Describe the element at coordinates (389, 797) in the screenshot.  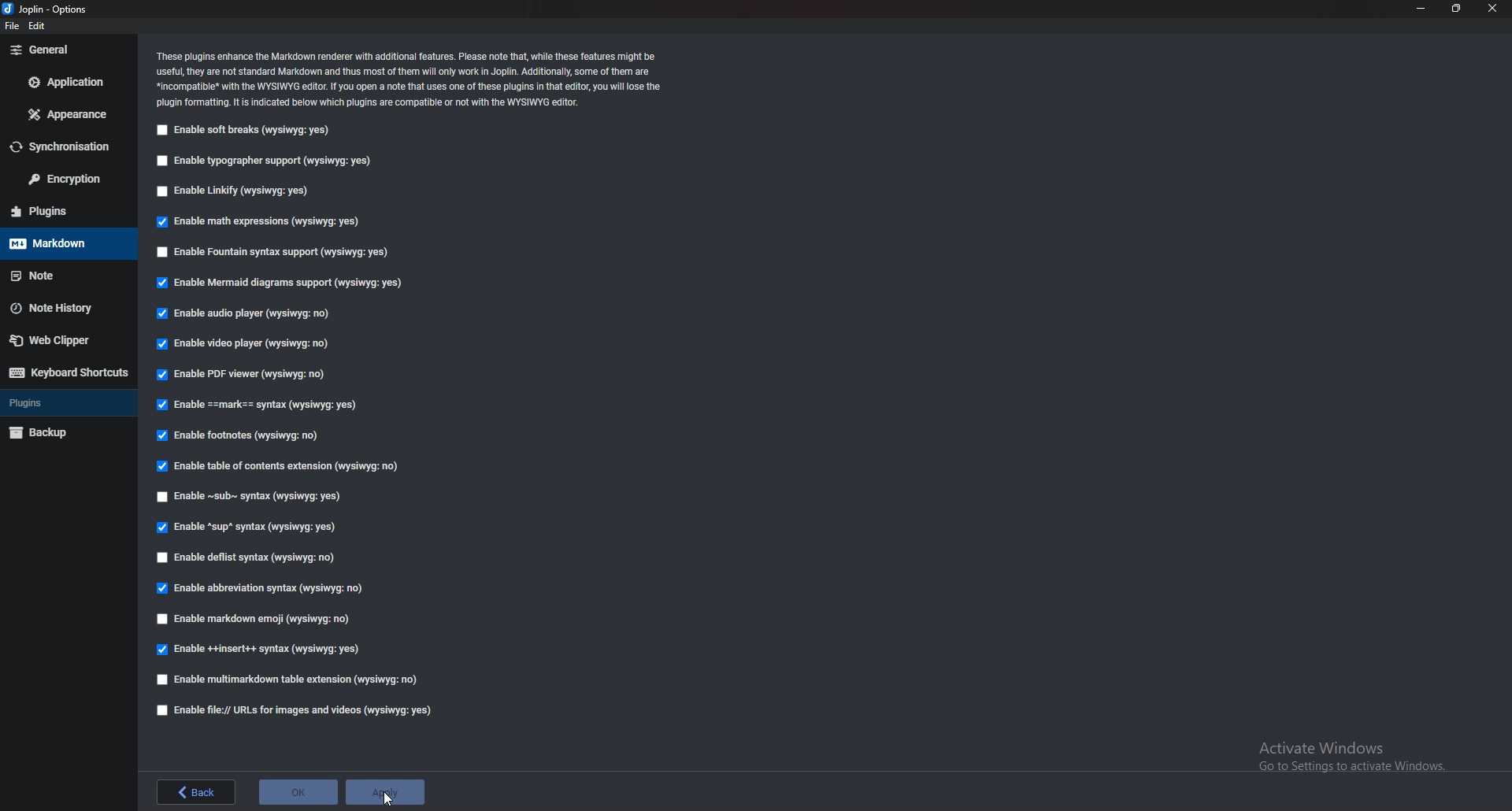
I see `cursor` at that location.